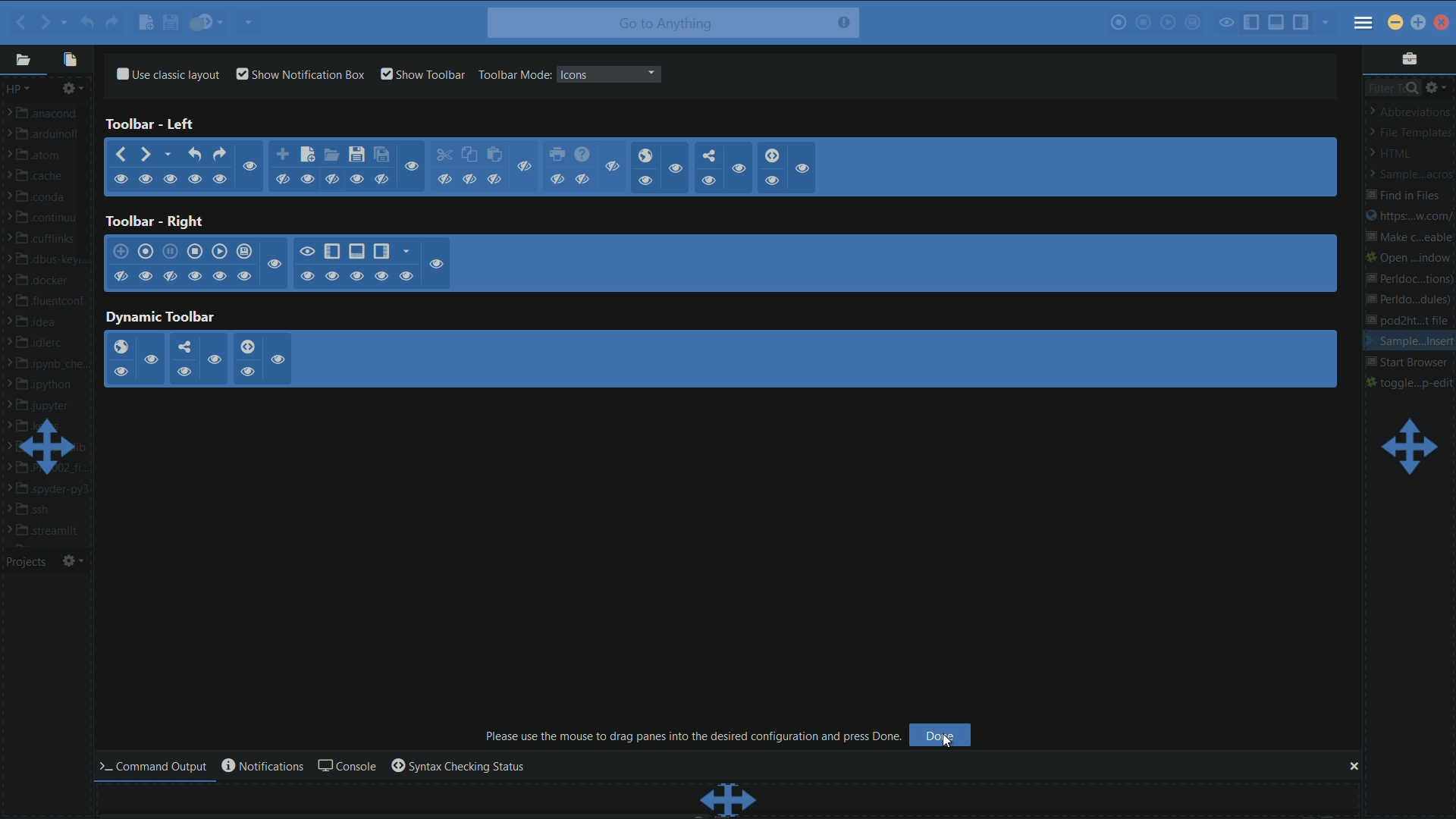 The width and height of the screenshot is (1456, 819). Describe the element at coordinates (1404, 196) in the screenshot. I see `find in files` at that location.